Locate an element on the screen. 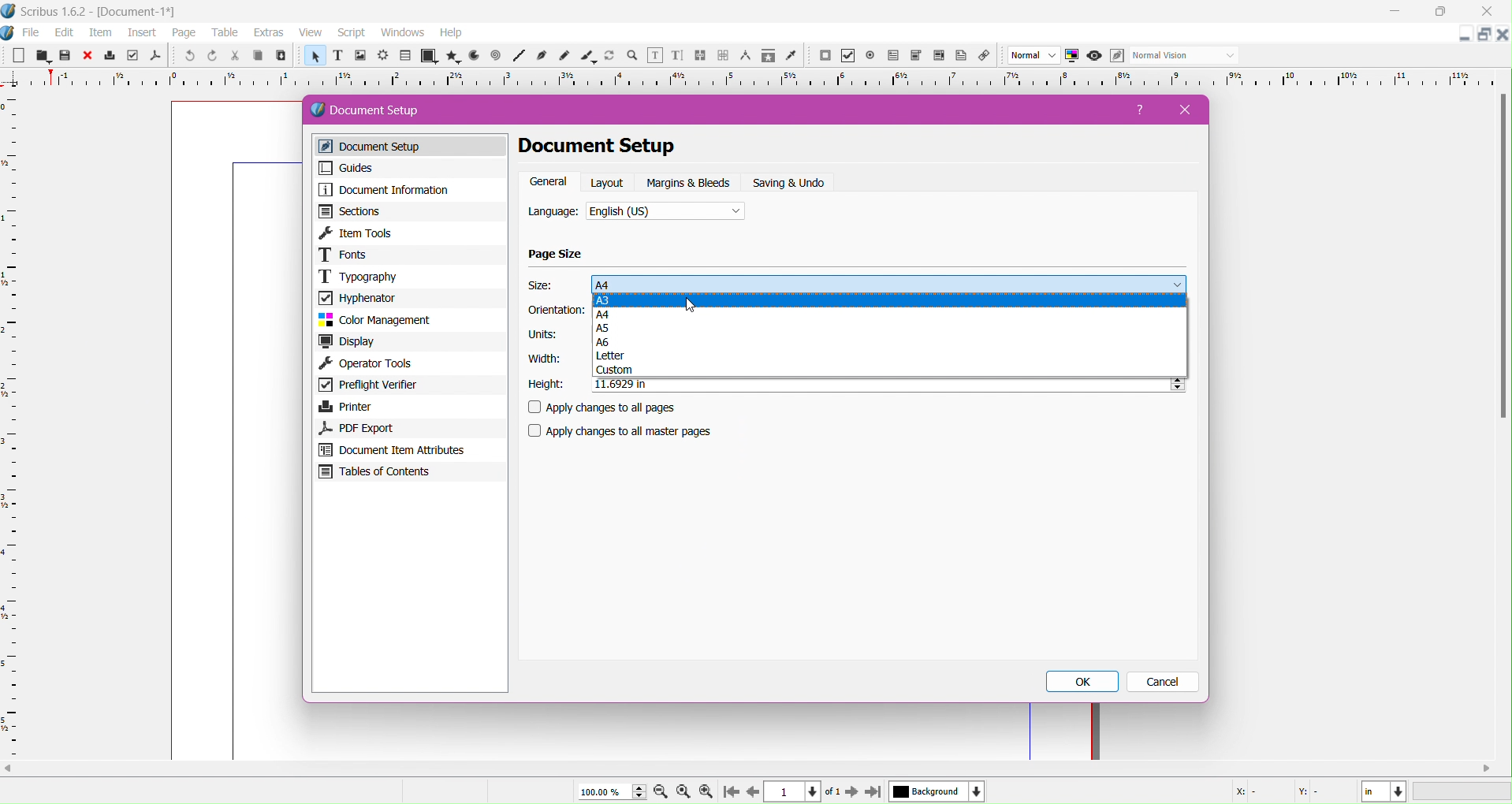 The image size is (1512, 804). redo is located at coordinates (210, 56).